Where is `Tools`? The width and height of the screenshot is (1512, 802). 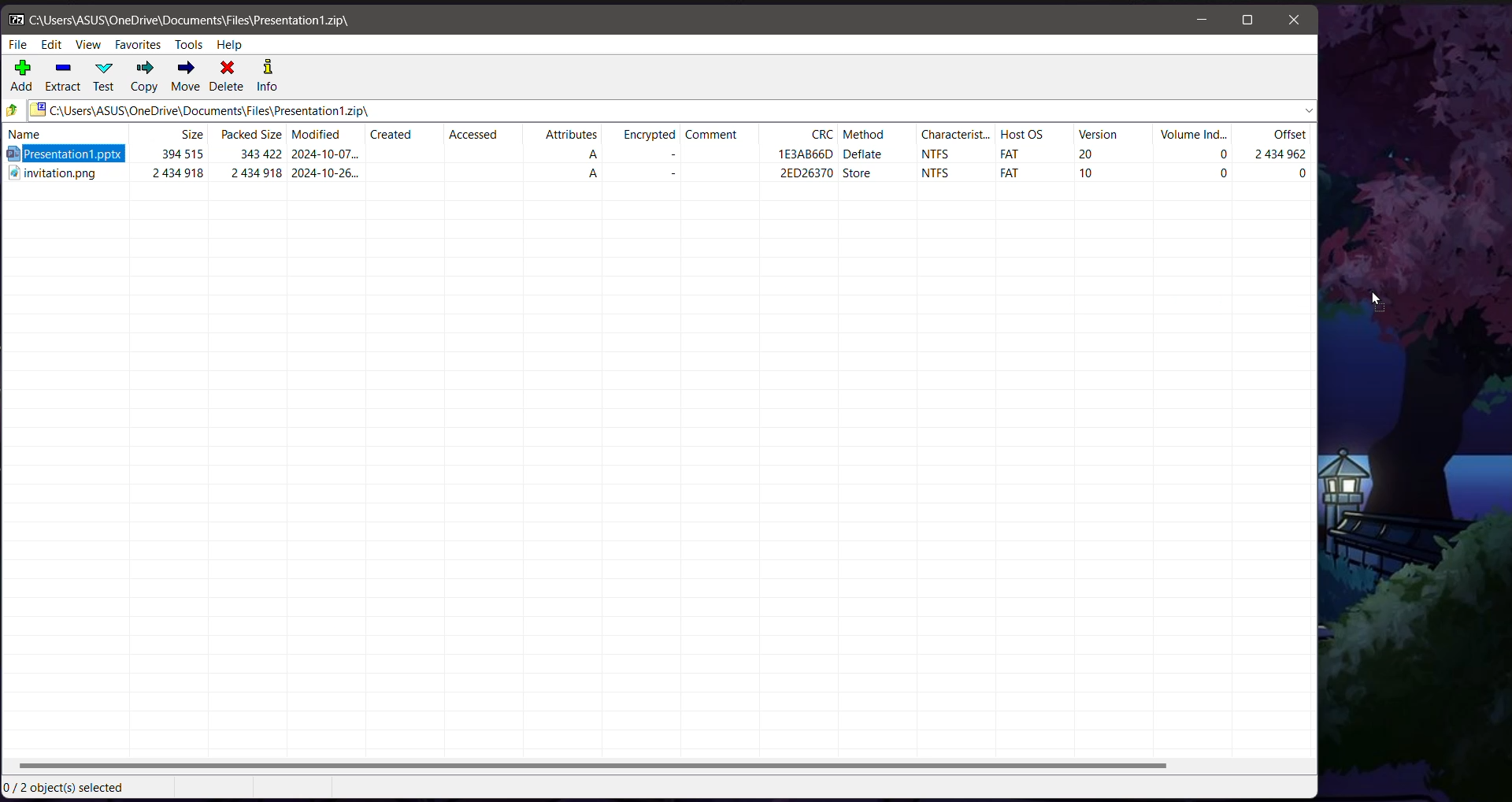 Tools is located at coordinates (190, 45).